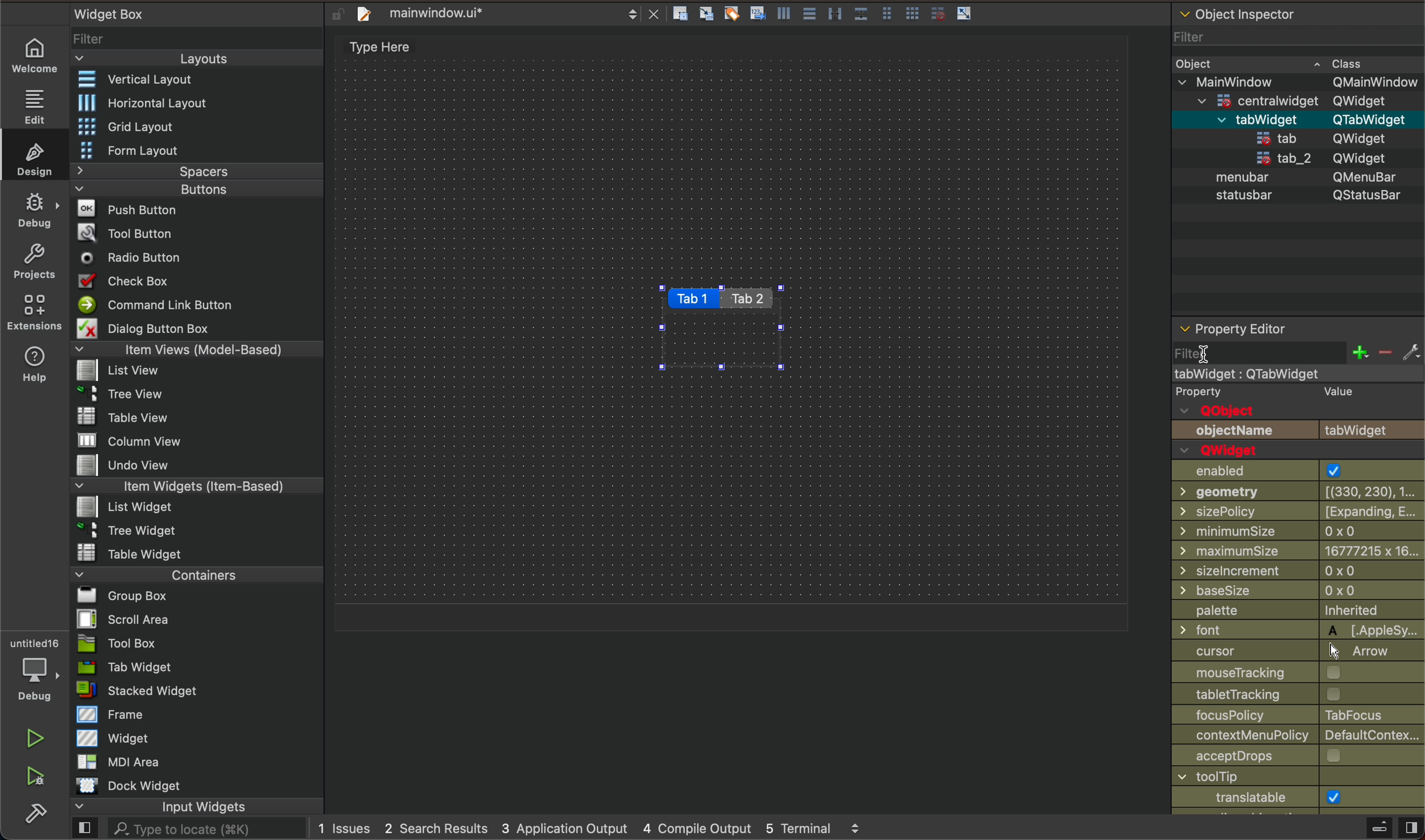 This screenshot has height=840, width=1425. What do you see at coordinates (1263, 353) in the screenshot?
I see `filter click` at bounding box center [1263, 353].